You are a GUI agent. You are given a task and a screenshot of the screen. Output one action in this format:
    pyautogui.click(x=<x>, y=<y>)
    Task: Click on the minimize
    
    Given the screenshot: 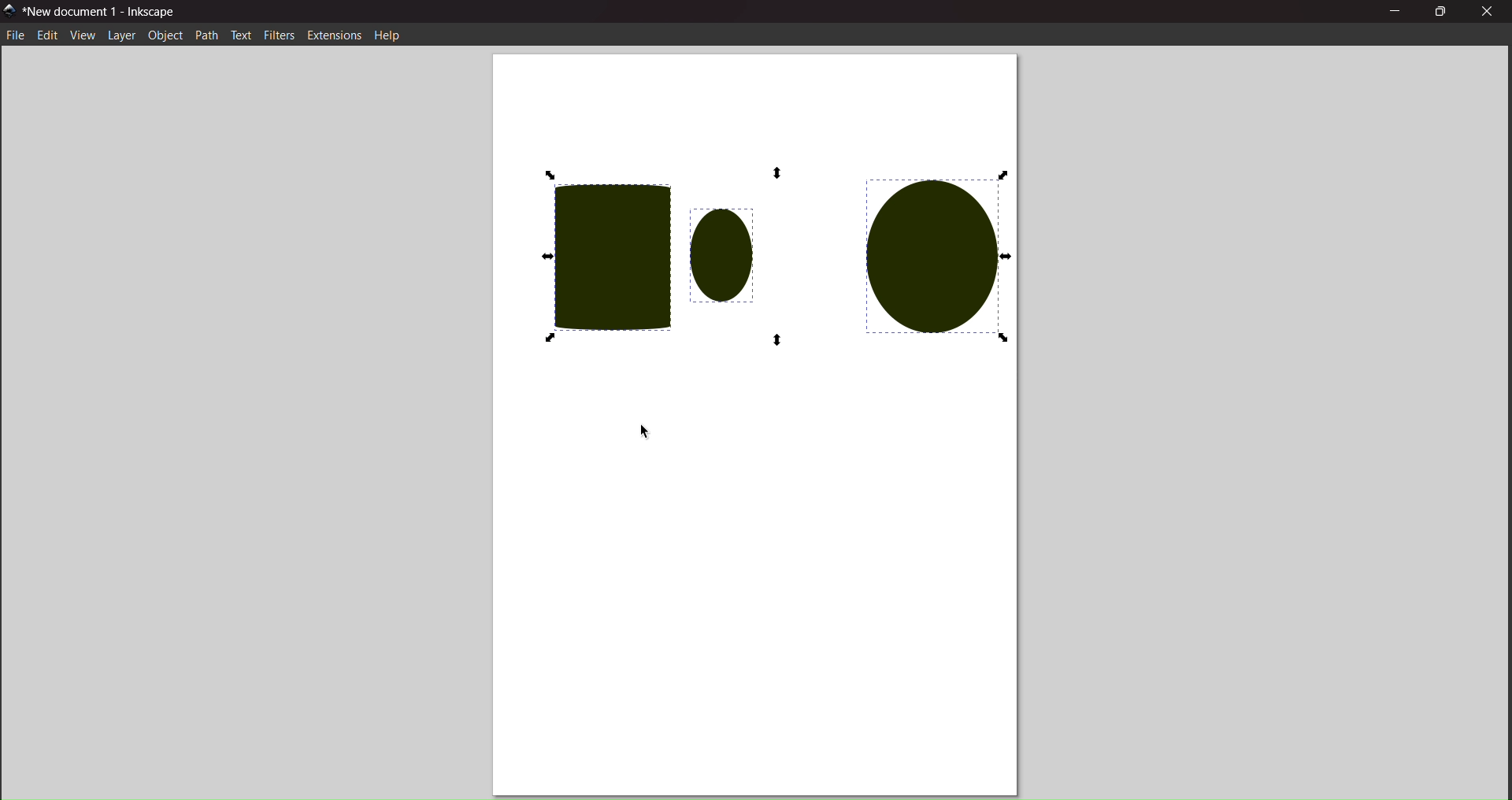 What is the action you would take?
    pyautogui.click(x=1395, y=13)
    